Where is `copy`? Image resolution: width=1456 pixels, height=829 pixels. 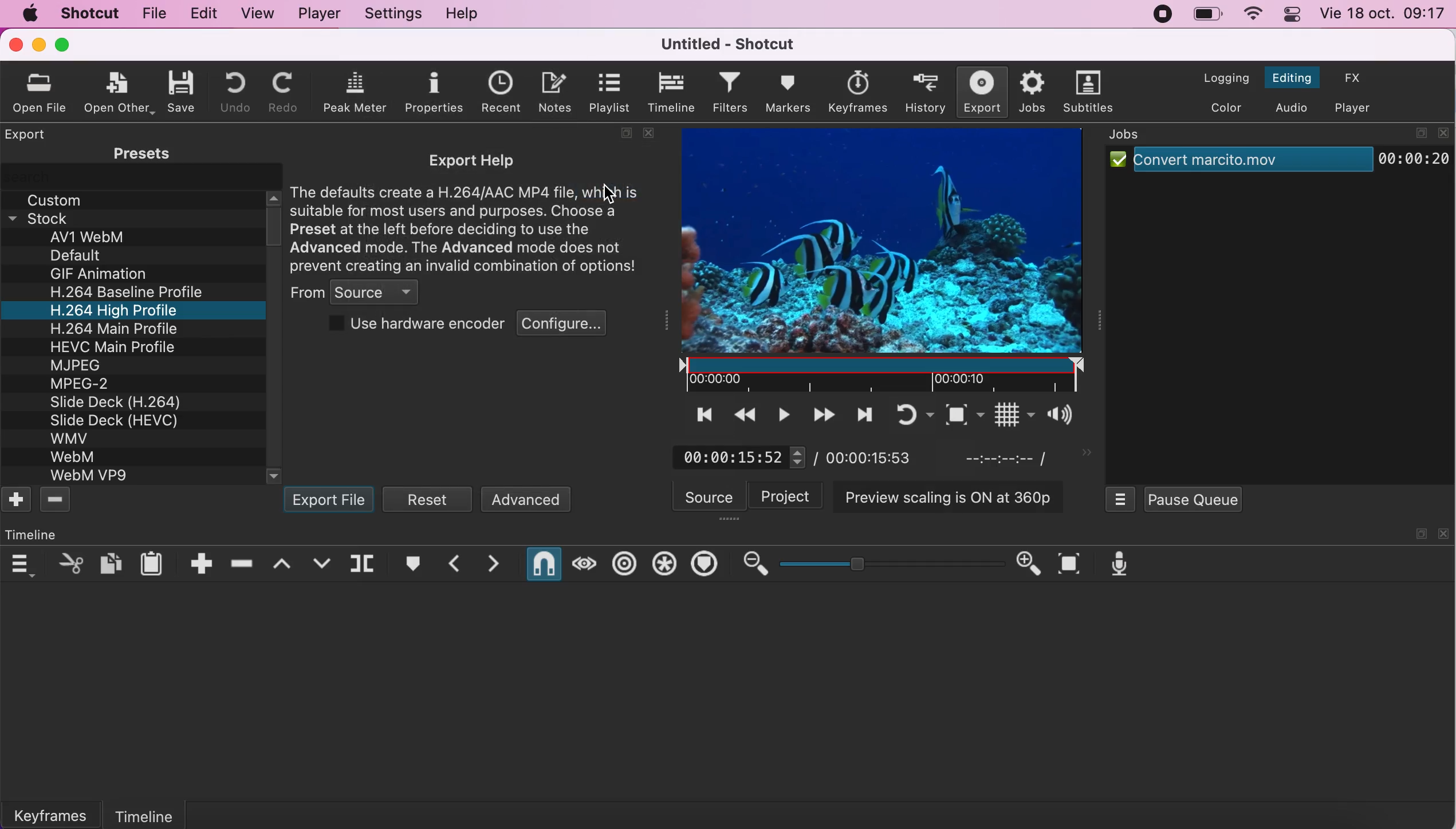 copy is located at coordinates (111, 562).